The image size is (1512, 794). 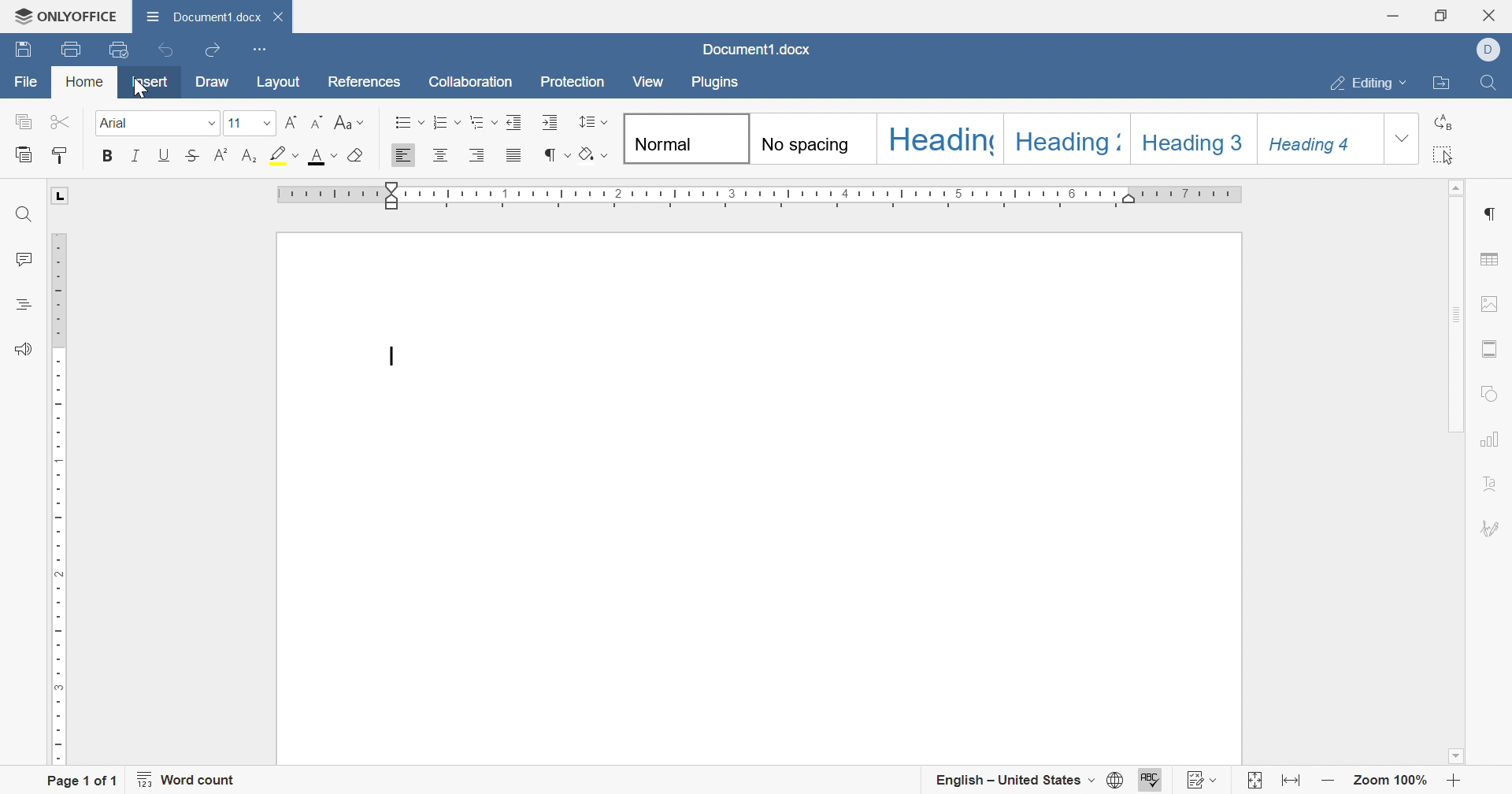 I want to click on Ruler, so click(x=759, y=198).